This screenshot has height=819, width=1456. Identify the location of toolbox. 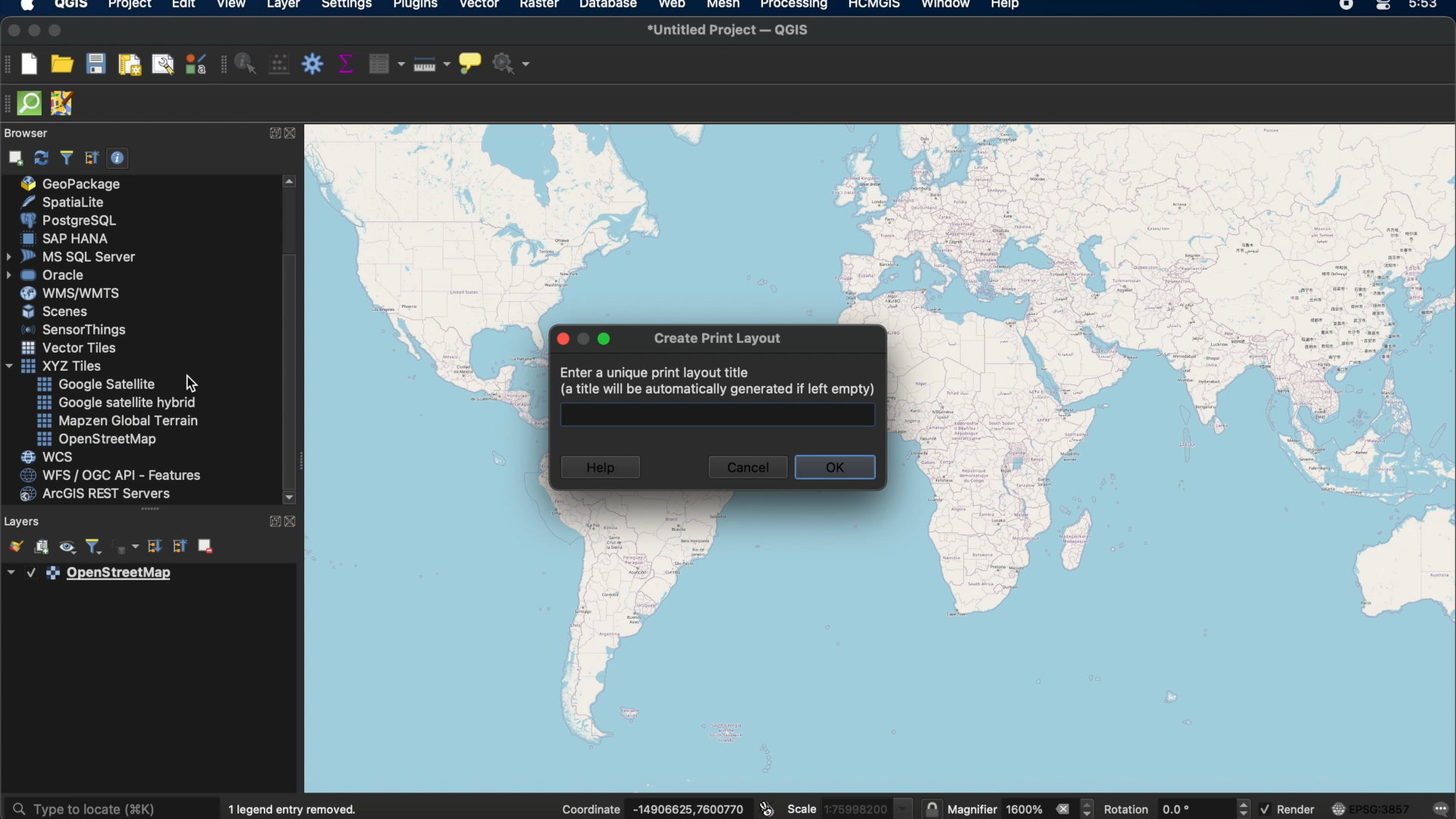
(311, 64).